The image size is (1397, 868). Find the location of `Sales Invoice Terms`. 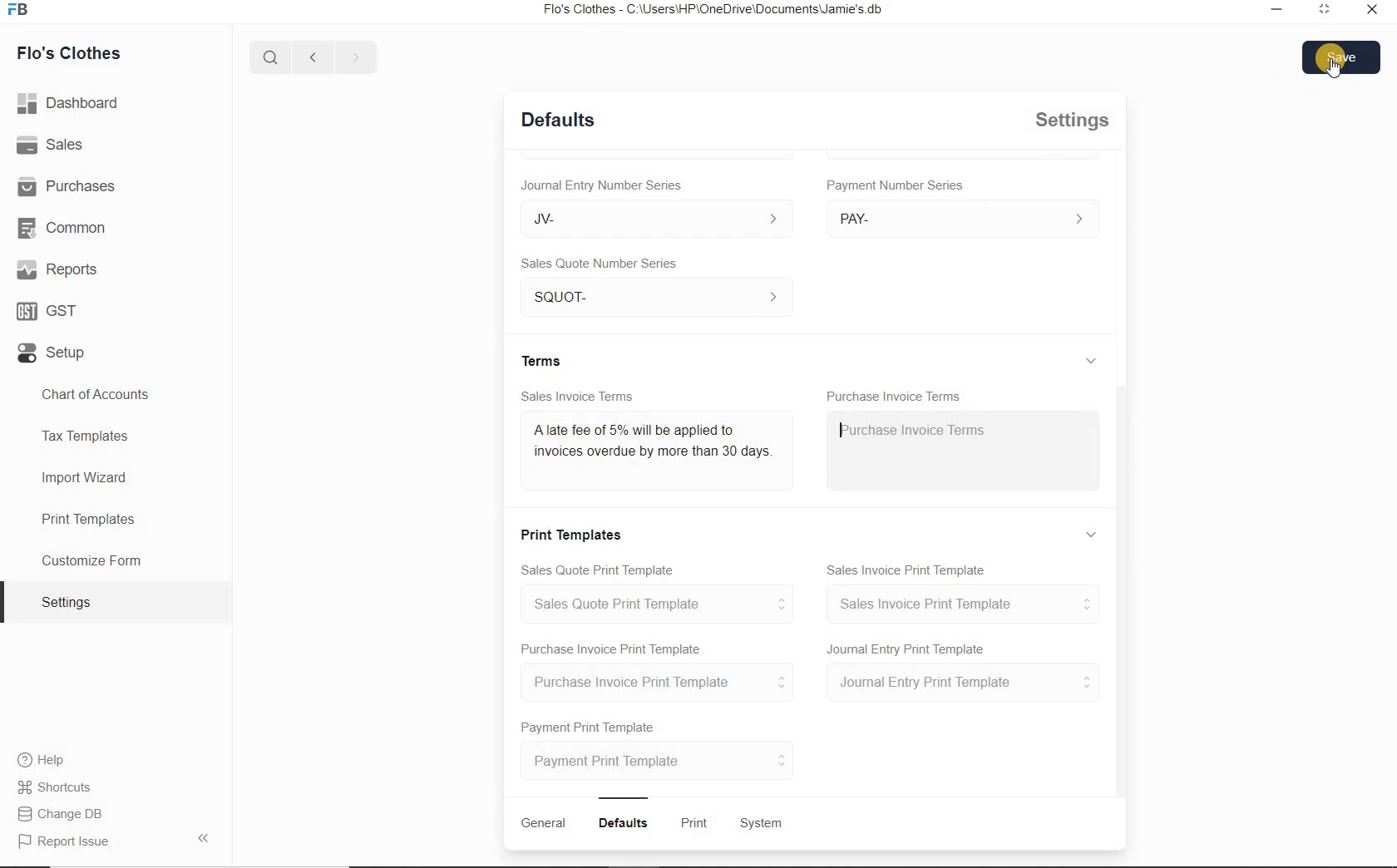

Sales Invoice Terms is located at coordinates (578, 394).